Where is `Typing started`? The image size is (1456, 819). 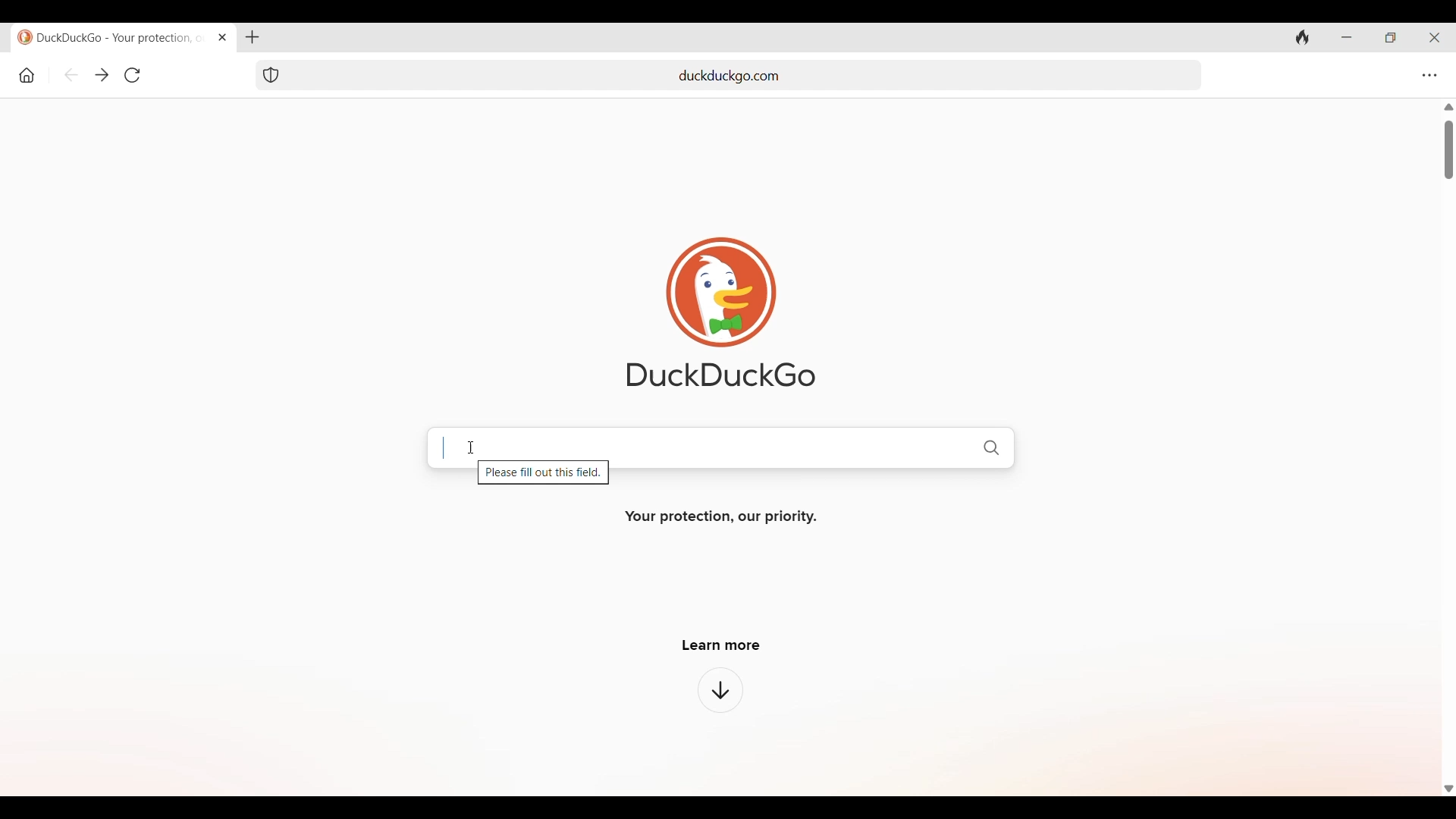 Typing started is located at coordinates (443, 447).